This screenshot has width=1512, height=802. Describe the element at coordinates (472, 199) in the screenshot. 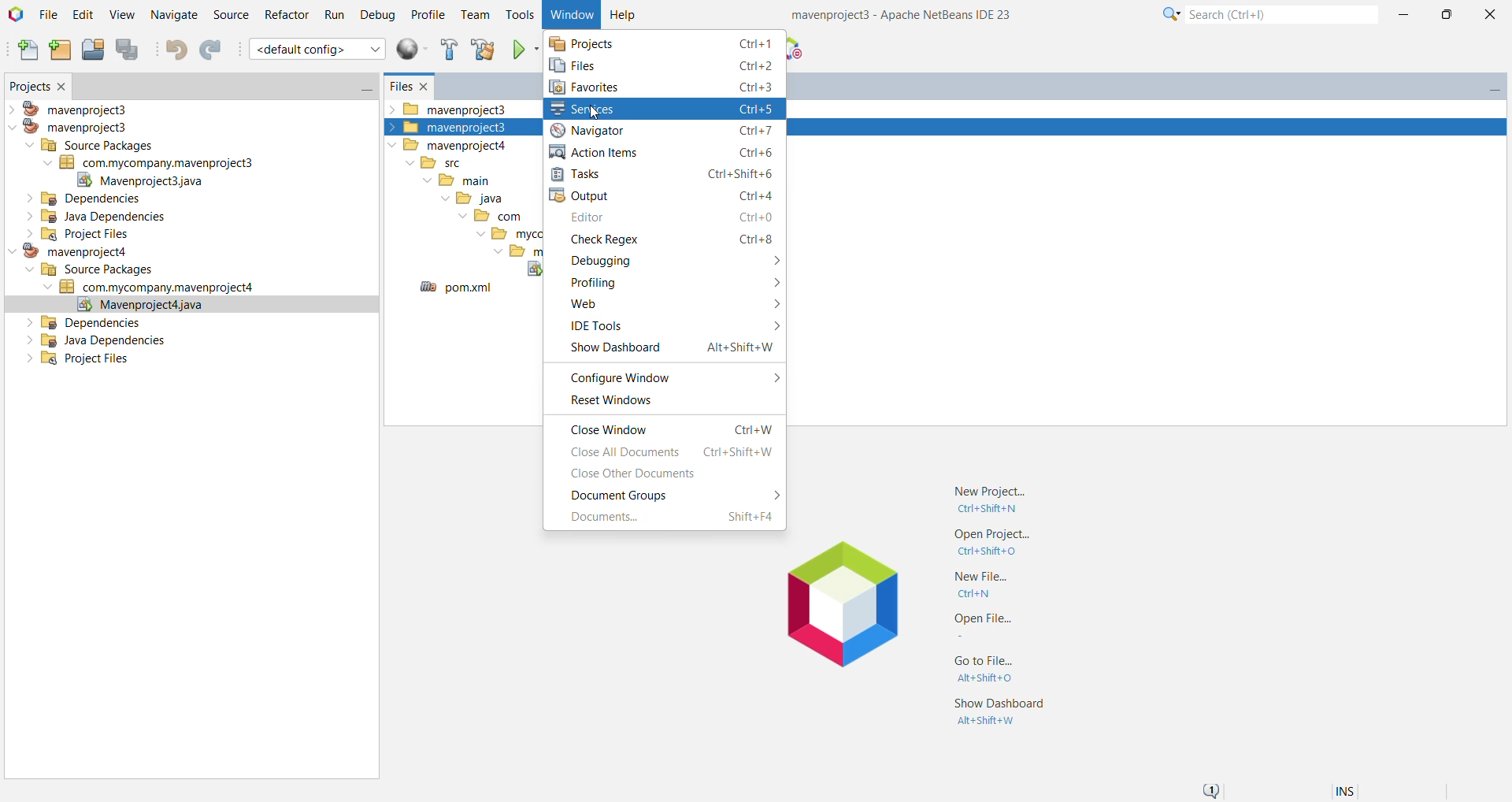

I see `java` at that location.